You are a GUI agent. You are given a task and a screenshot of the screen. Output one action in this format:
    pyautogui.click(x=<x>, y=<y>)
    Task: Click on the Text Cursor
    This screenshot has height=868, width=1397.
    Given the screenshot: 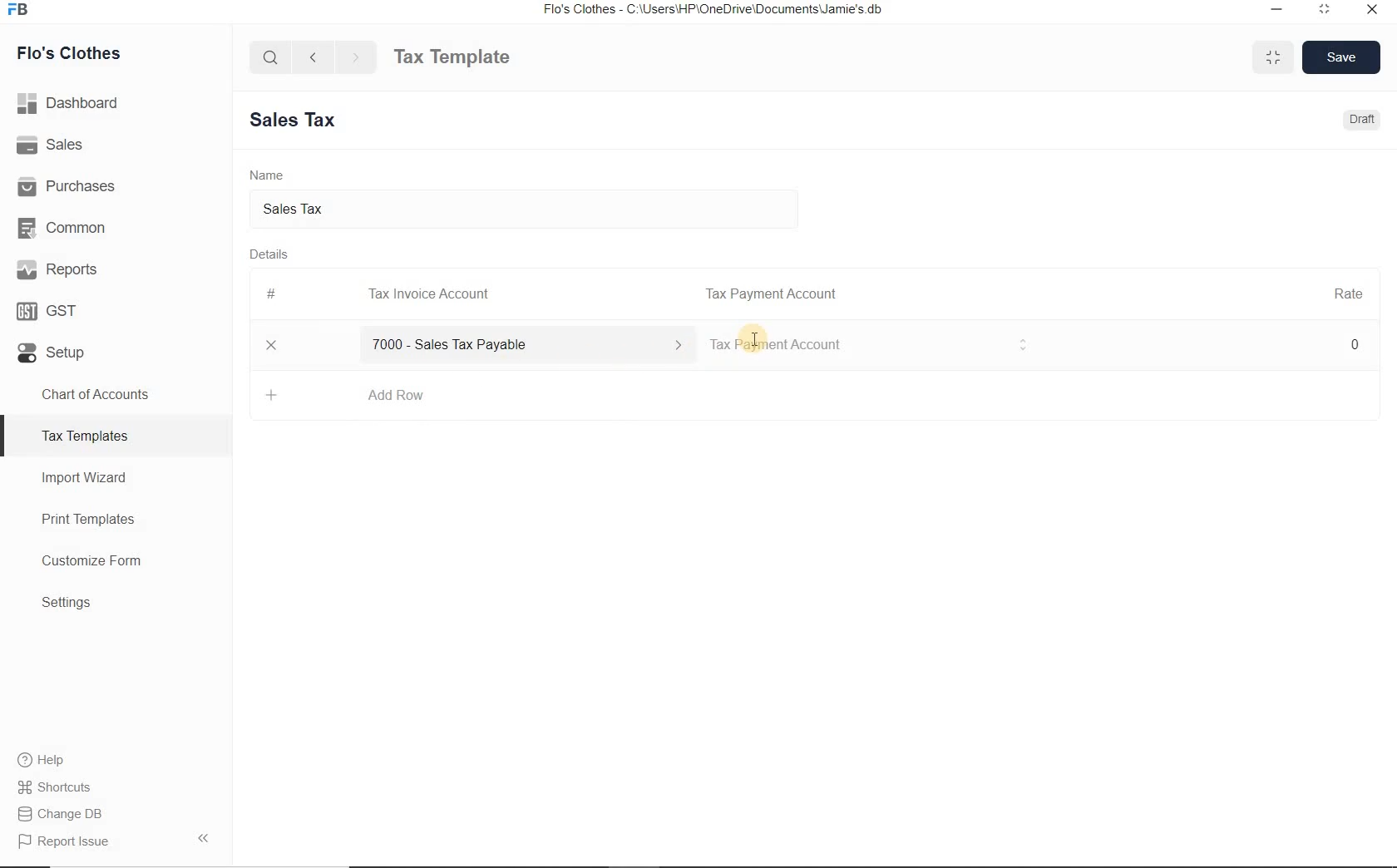 What is the action you would take?
    pyautogui.click(x=753, y=338)
    